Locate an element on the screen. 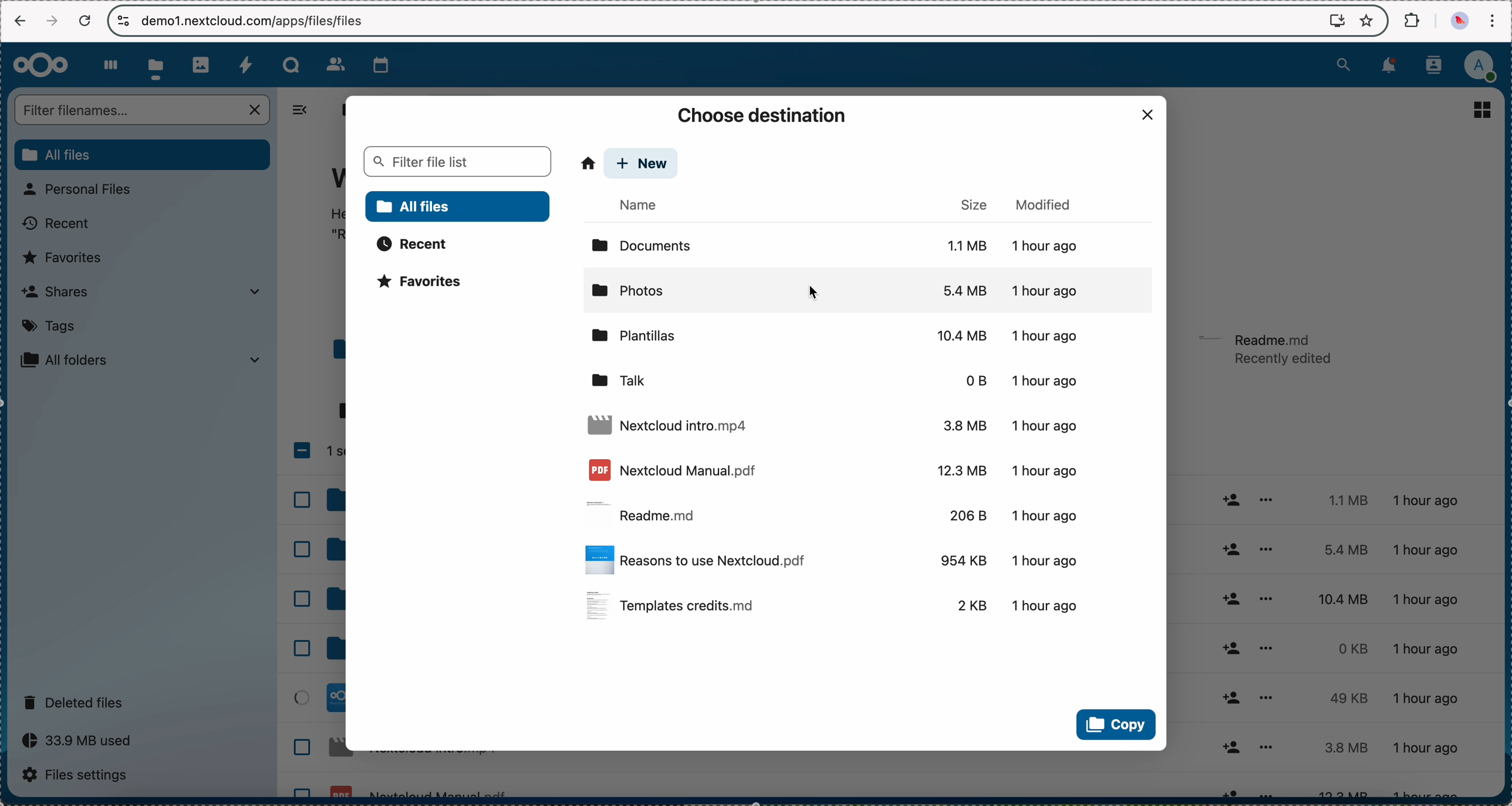 This screenshot has height=806, width=1512. calendar is located at coordinates (376, 64).